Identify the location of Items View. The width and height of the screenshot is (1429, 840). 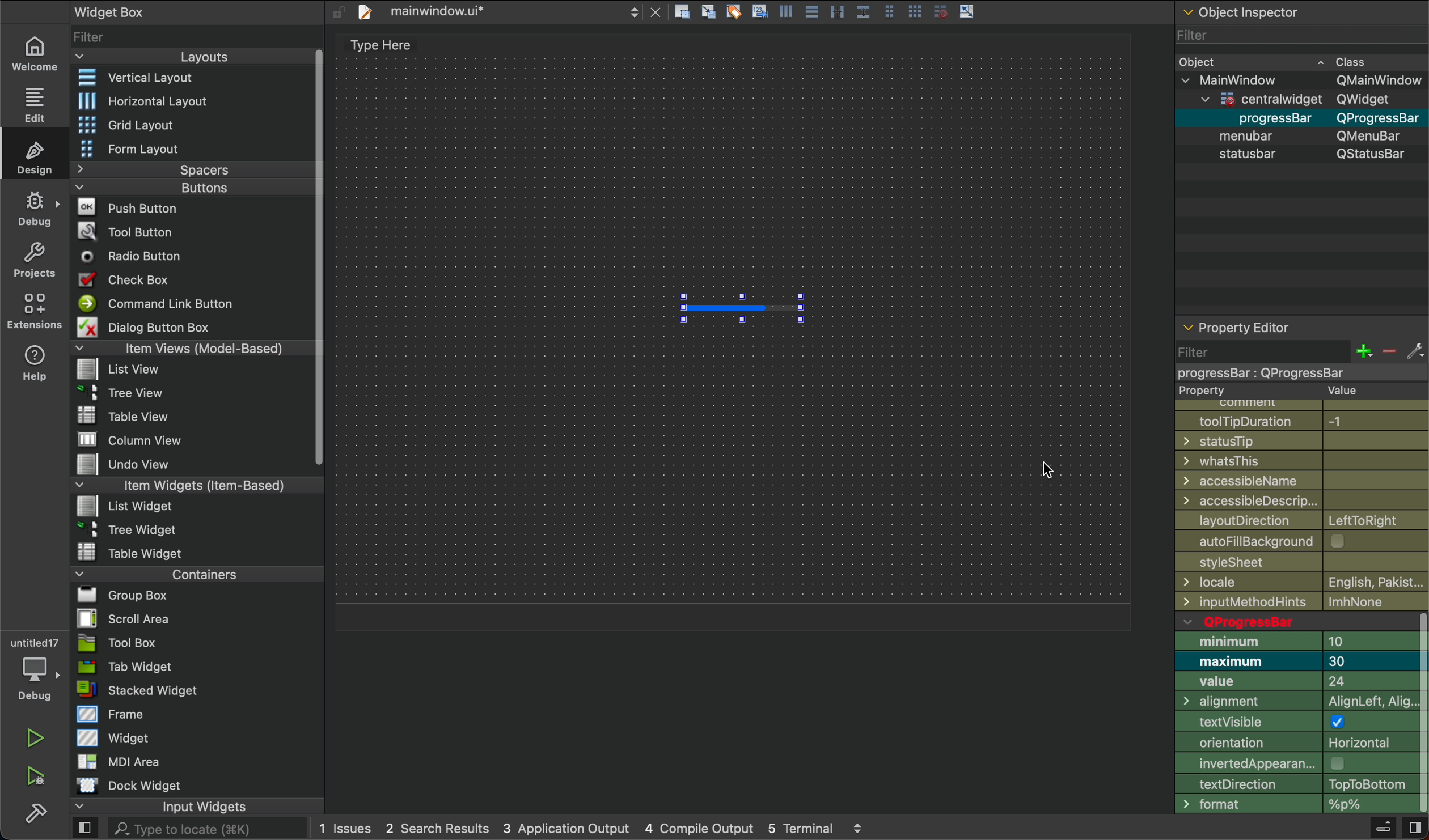
(188, 347).